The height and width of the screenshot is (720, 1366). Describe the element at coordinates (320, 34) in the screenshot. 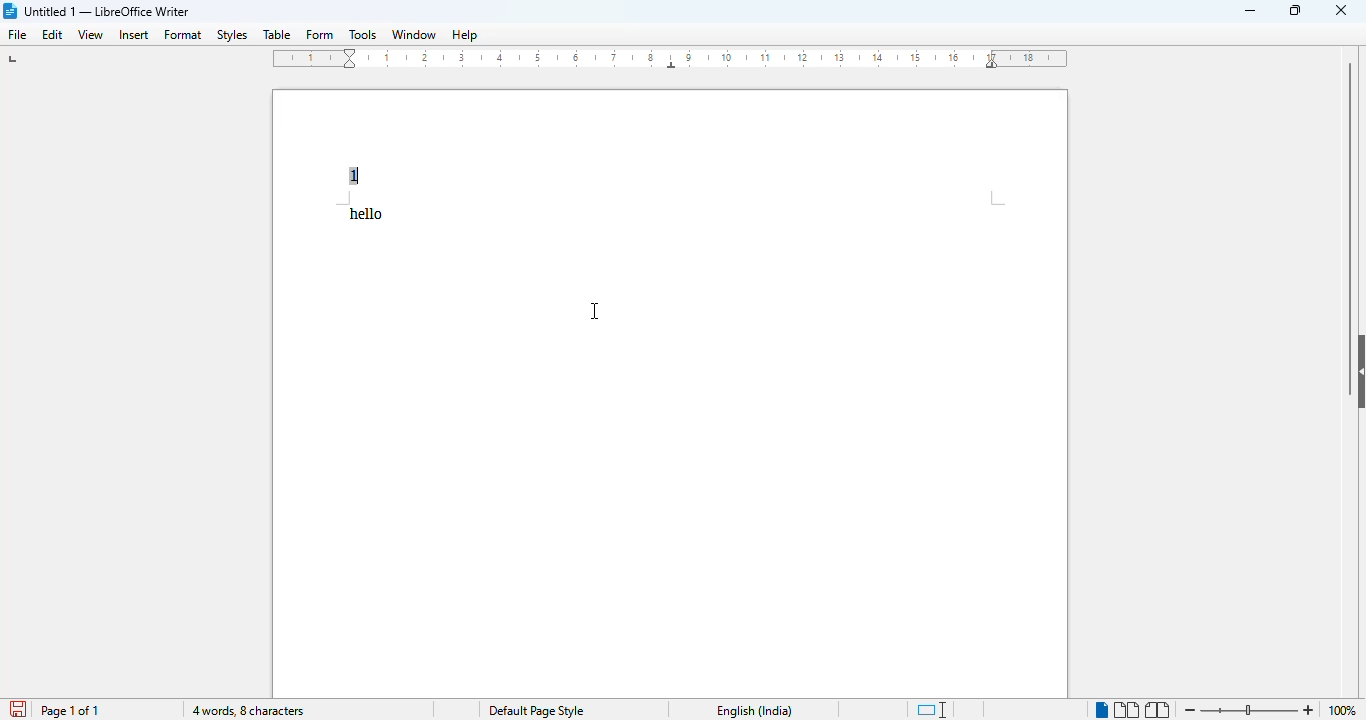

I see `form` at that location.